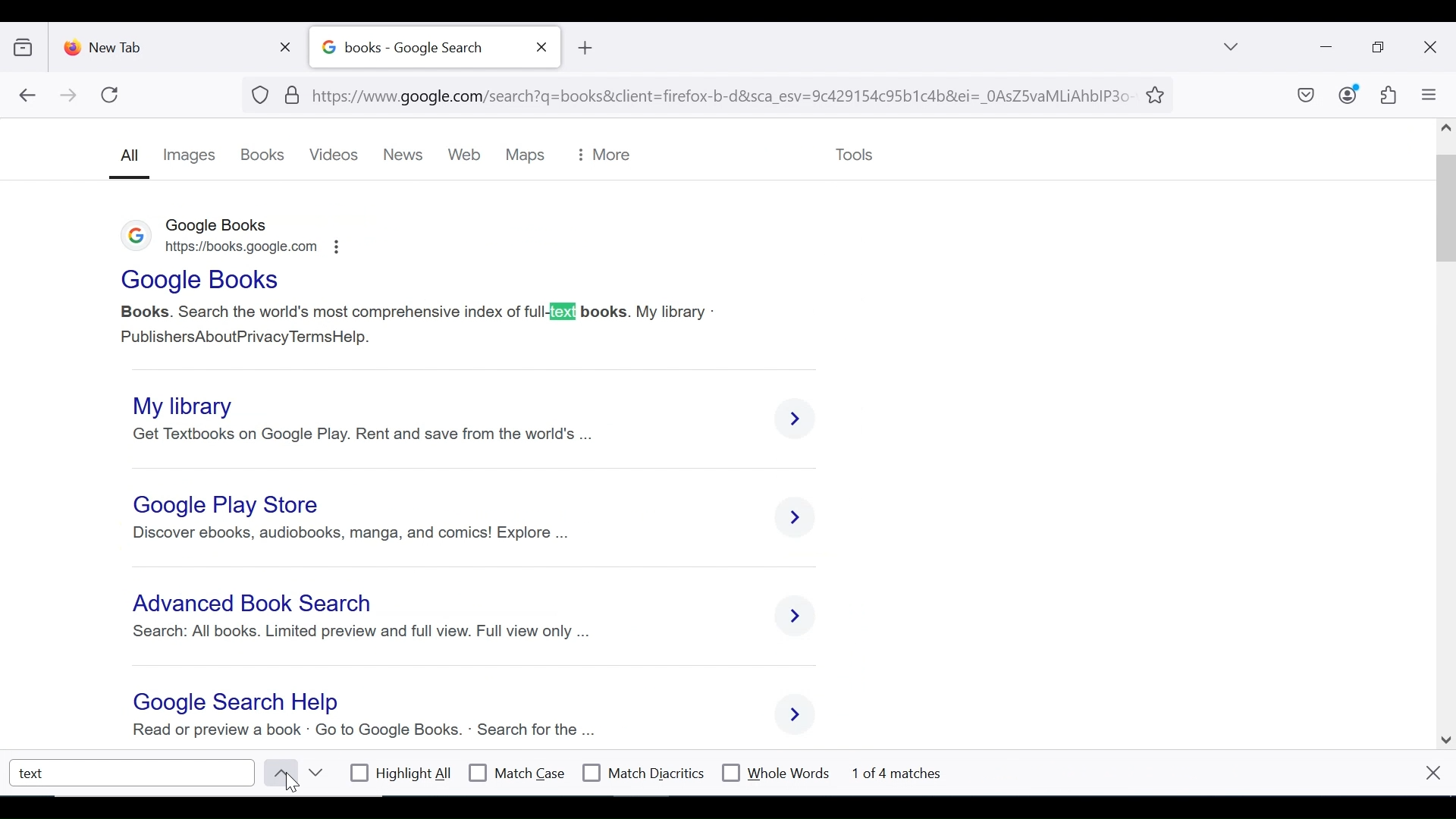  What do you see at coordinates (402, 775) in the screenshot?
I see `highlight all` at bounding box center [402, 775].